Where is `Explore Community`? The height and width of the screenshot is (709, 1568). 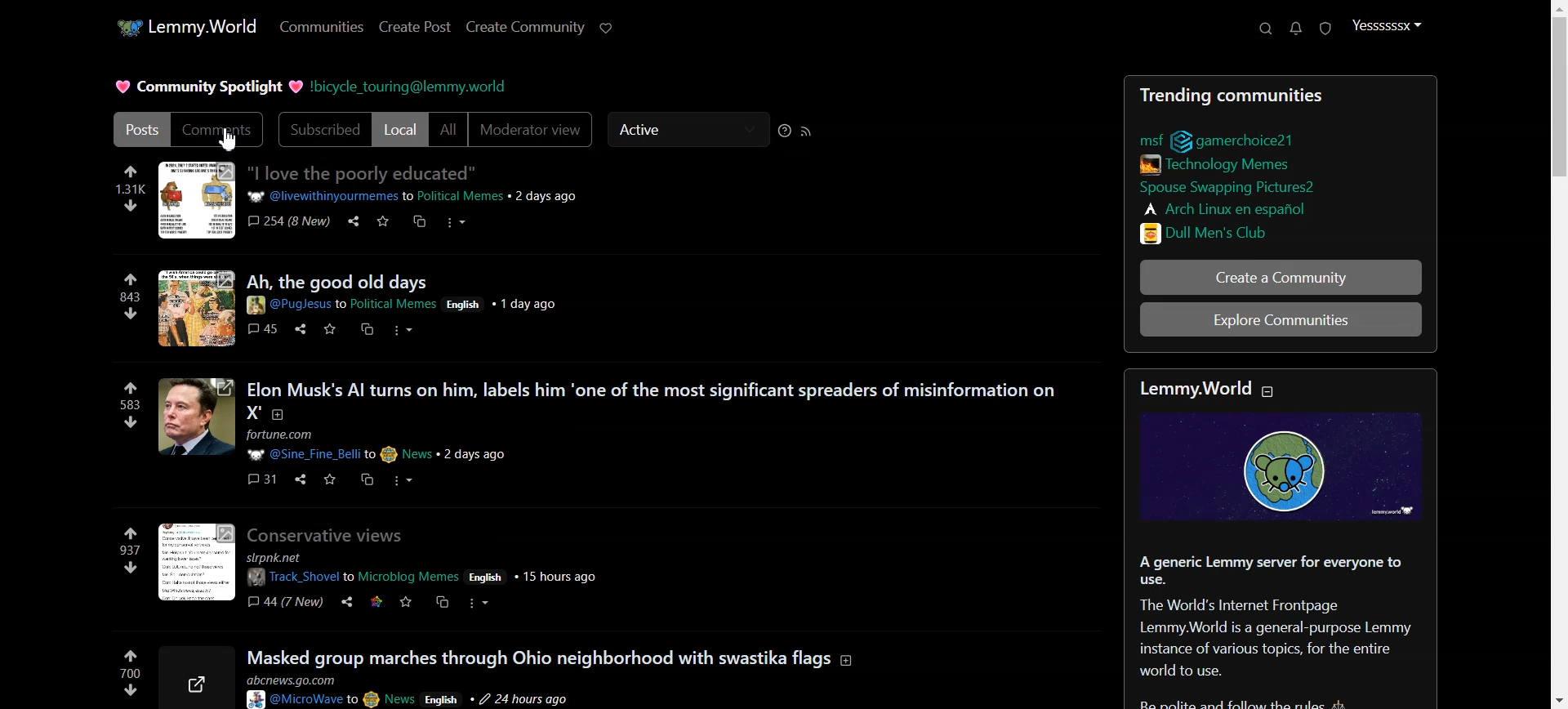 Explore Community is located at coordinates (1281, 319).